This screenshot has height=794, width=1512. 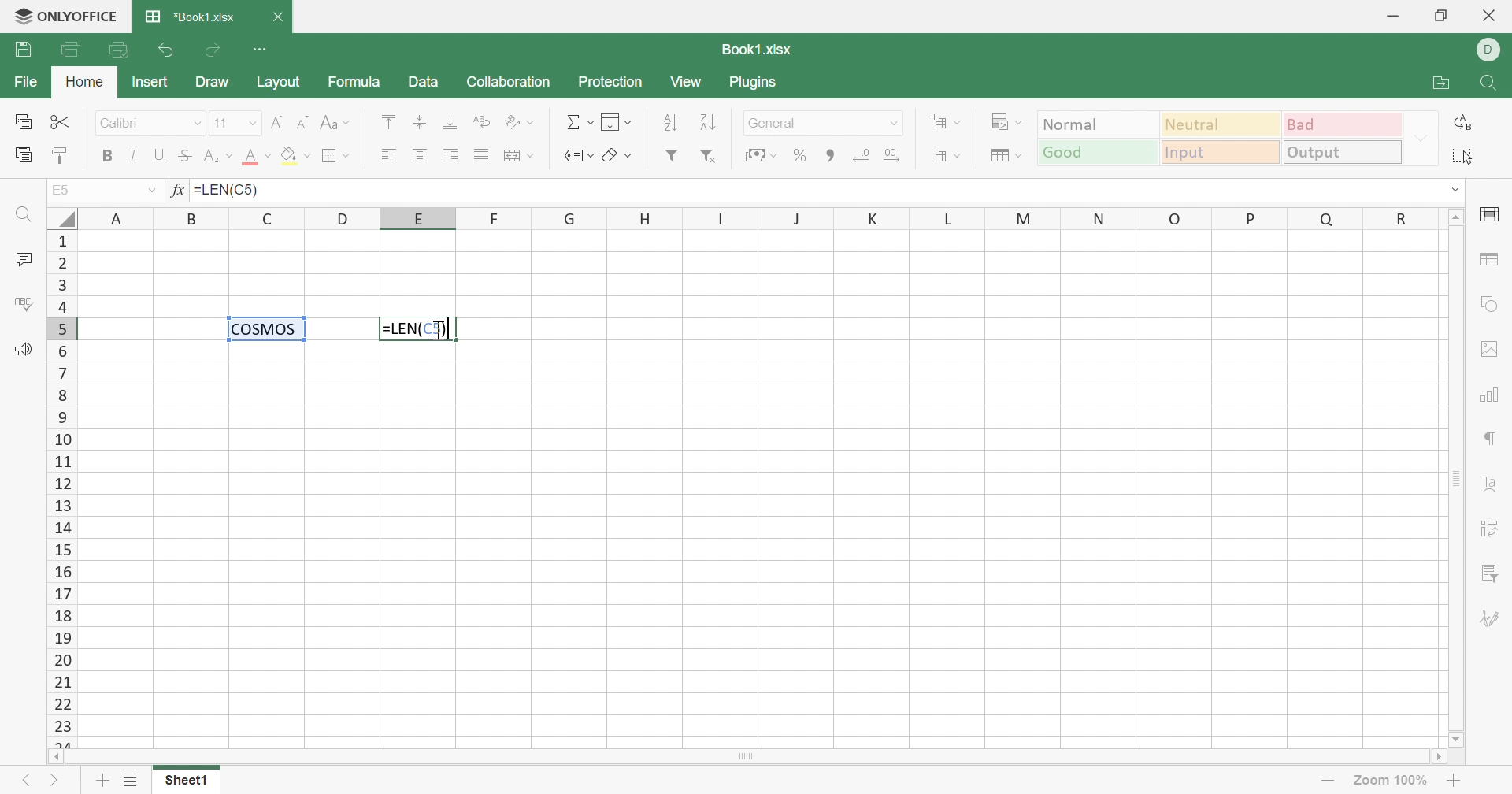 I want to click on Font size, so click(x=226, y=121).